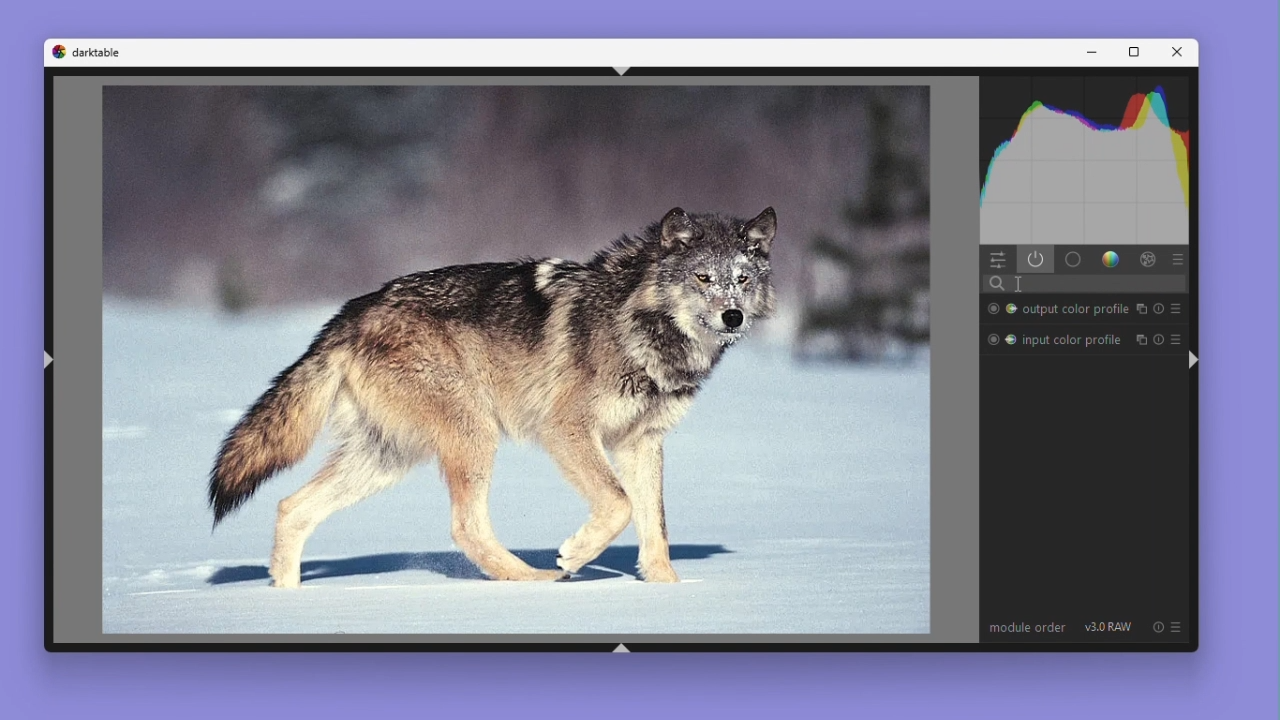  Describe the element at coordinates (1091, 52) in the screenshot. I see `Minimise` at that location.